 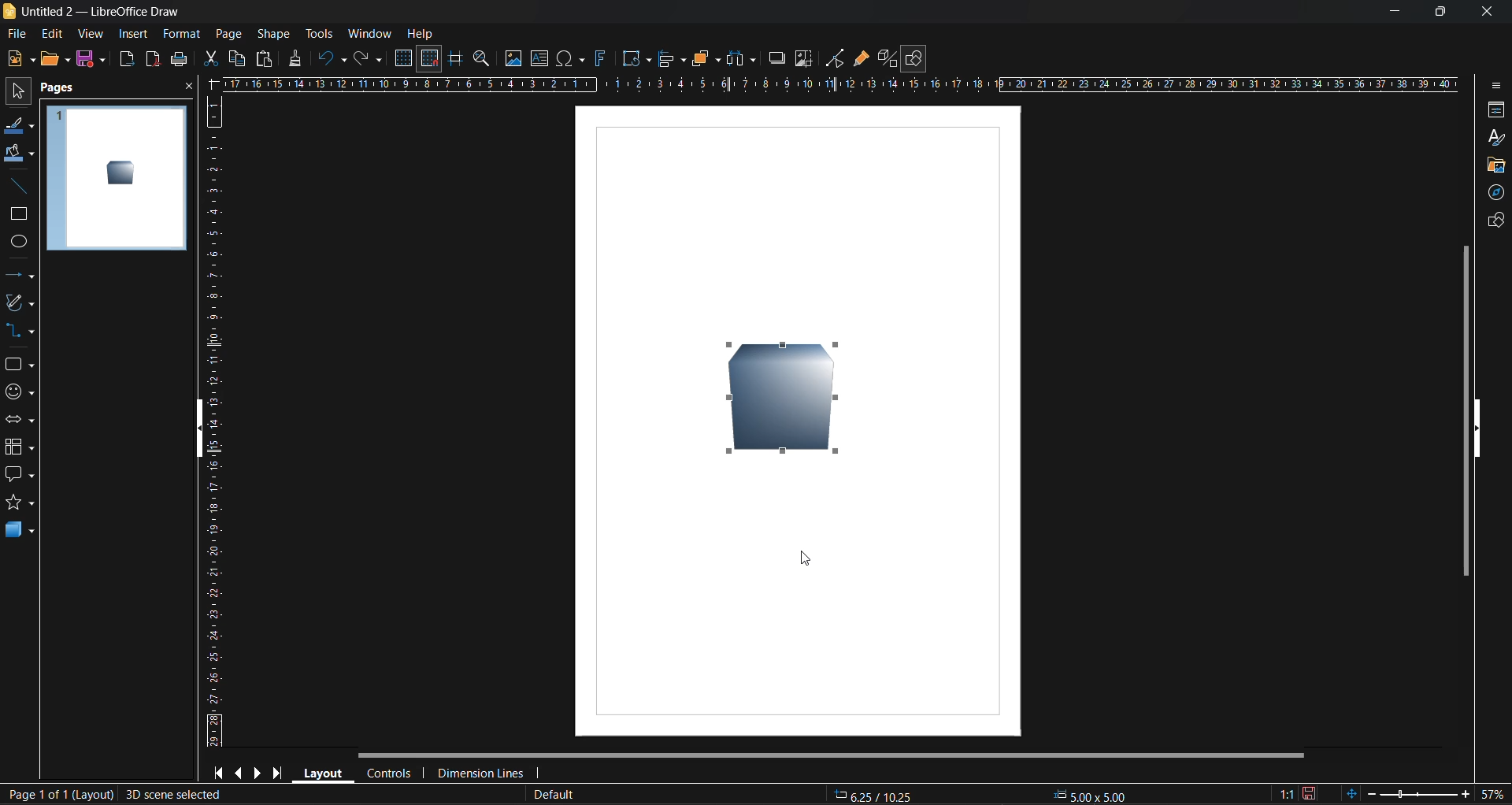 I want to click on curves and polygons, so click(x=18, y=304).